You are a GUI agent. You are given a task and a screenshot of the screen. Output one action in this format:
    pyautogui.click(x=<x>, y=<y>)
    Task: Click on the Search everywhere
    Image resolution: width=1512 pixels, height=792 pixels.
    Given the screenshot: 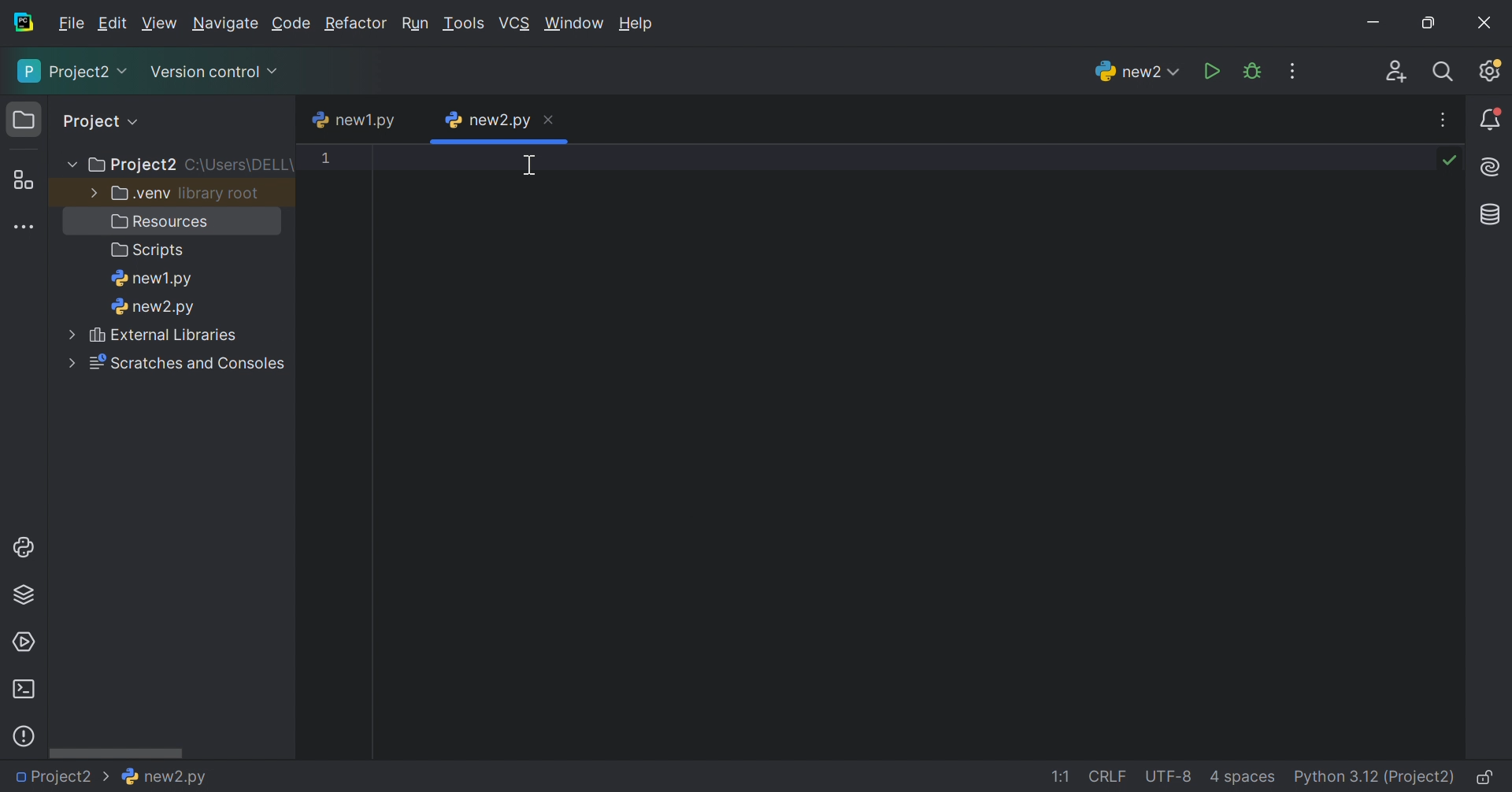 What is the action you would take?
    pyautogui.click(x=1446, y=74)
    